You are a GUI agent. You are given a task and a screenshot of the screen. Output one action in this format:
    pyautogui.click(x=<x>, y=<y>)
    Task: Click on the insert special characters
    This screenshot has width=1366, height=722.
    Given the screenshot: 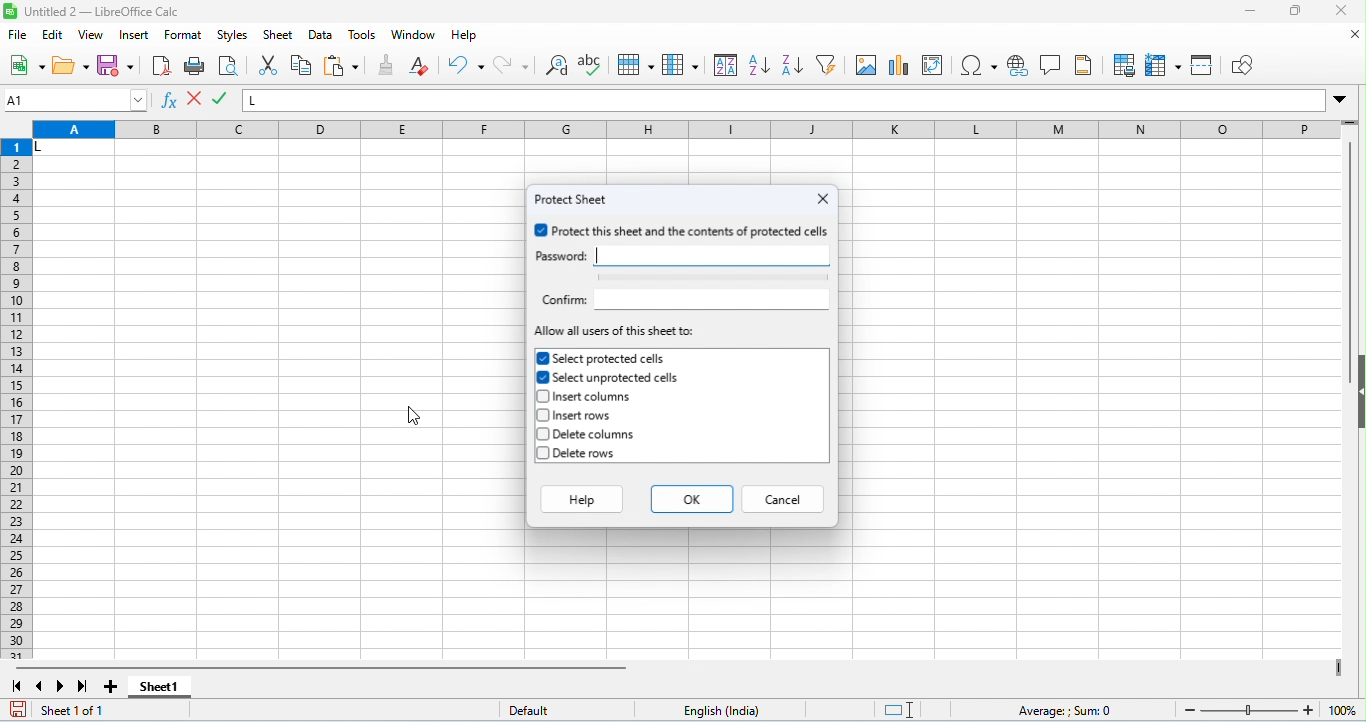 What is the action you would take?
    pyautogui.click(x=979, y=65)
    